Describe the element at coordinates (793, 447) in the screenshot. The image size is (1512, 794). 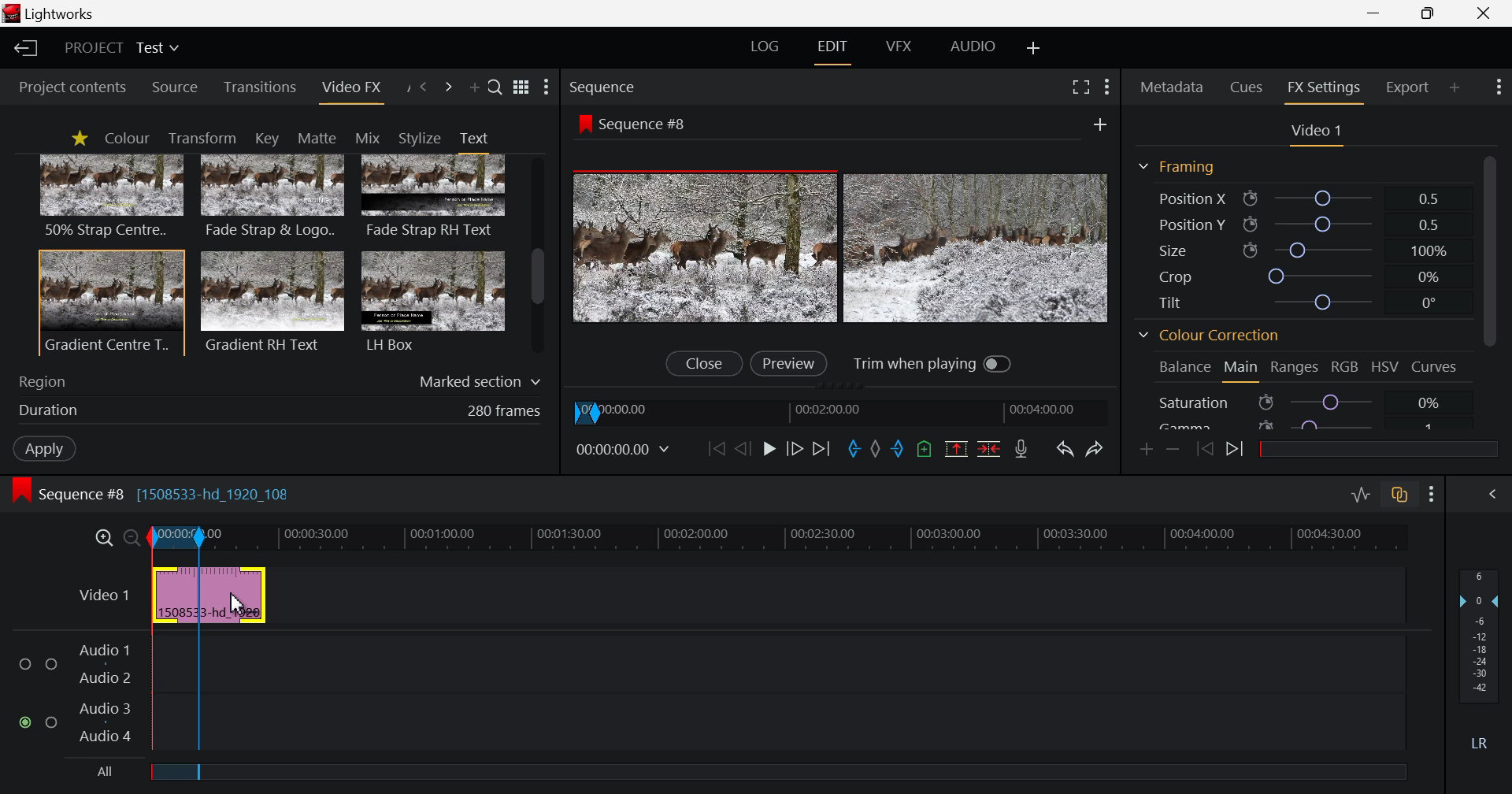
I see `Go Forward` at that location.